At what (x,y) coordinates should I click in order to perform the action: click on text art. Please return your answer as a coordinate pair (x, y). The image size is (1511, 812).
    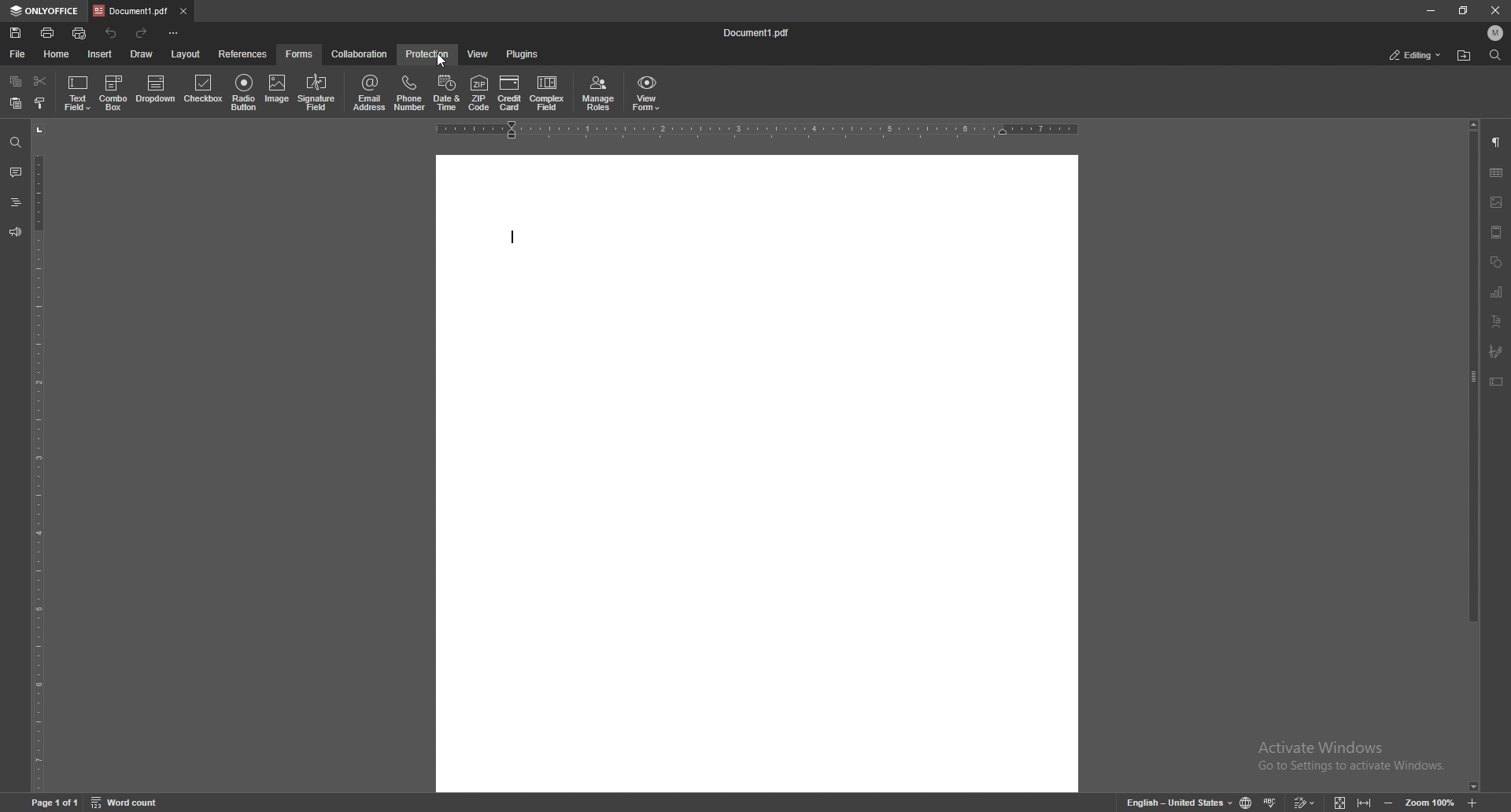
    Looking at the image, I should click on (1498, 321).